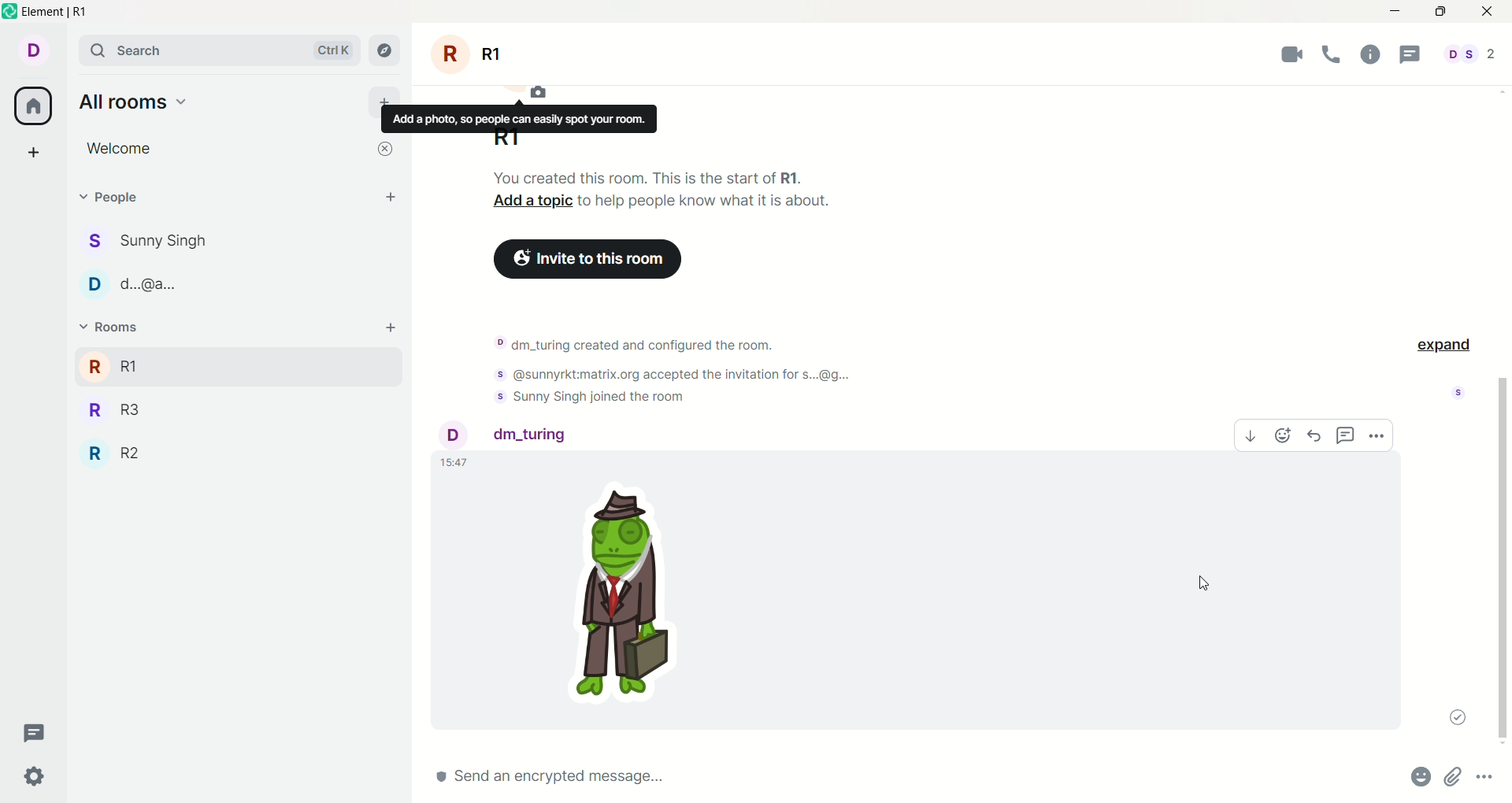  Describe the element at coordinates (54, 12) in the screenshot. I see `Element | R1` at that location.